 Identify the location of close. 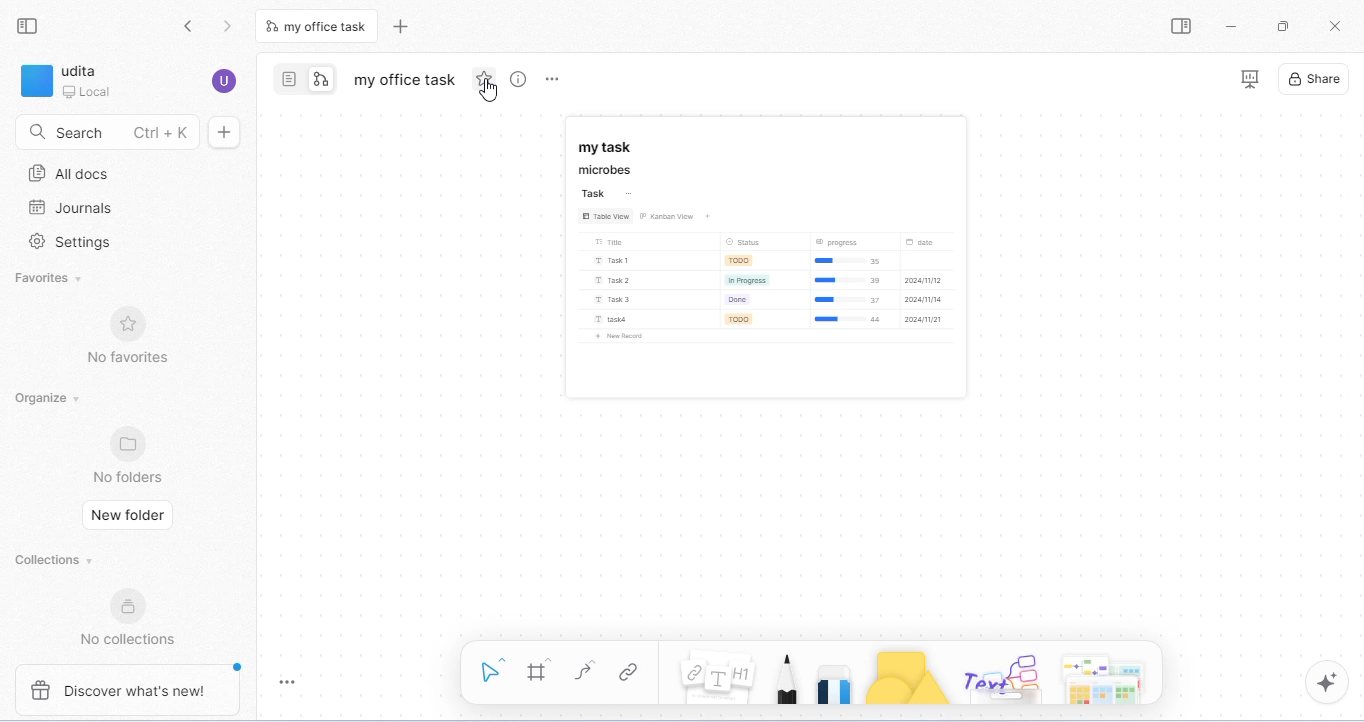
(1337, 26).